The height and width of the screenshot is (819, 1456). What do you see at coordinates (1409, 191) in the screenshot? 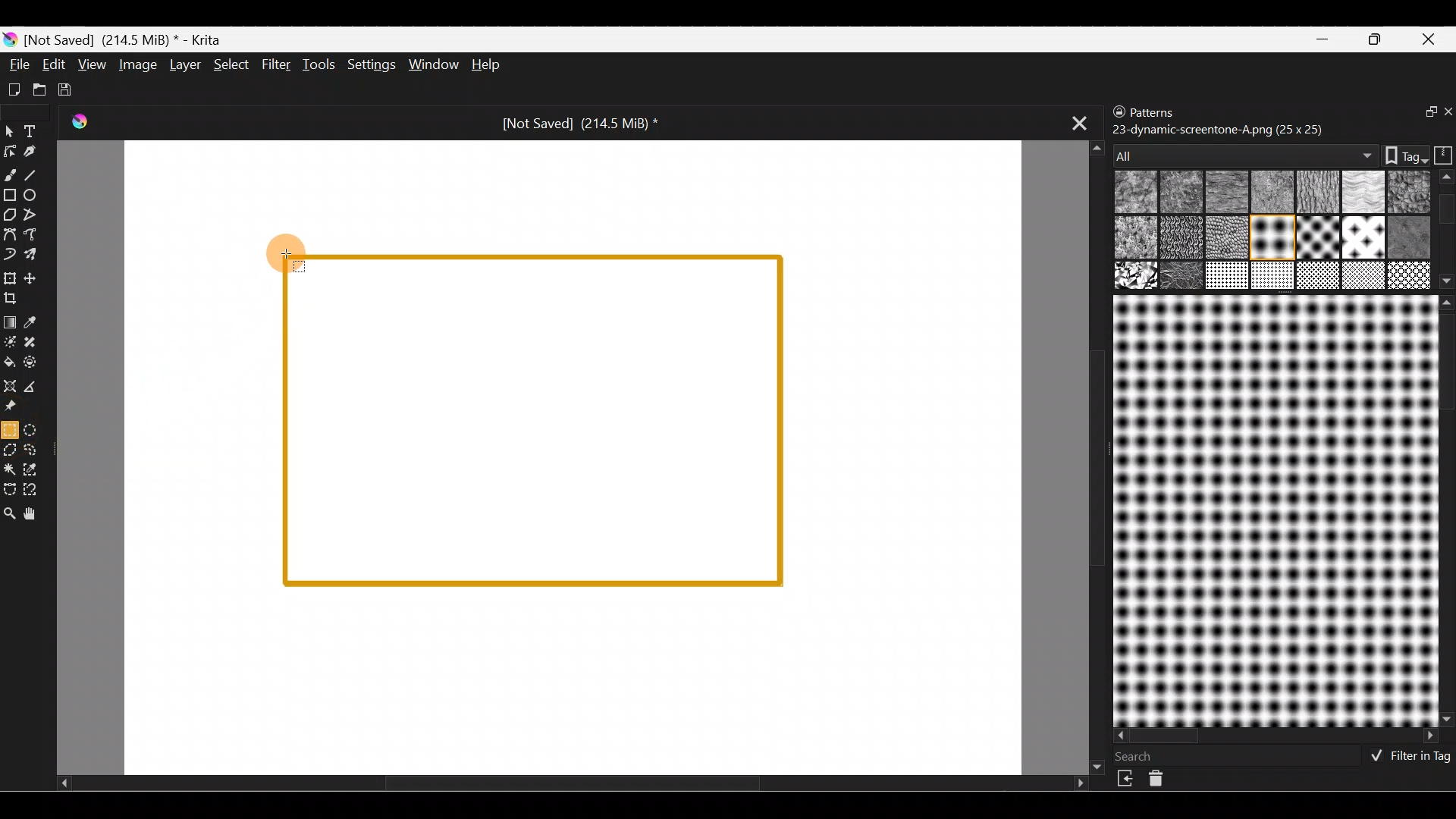
I see `06 Hard-grain.png` at bounding box center [1409, 191].